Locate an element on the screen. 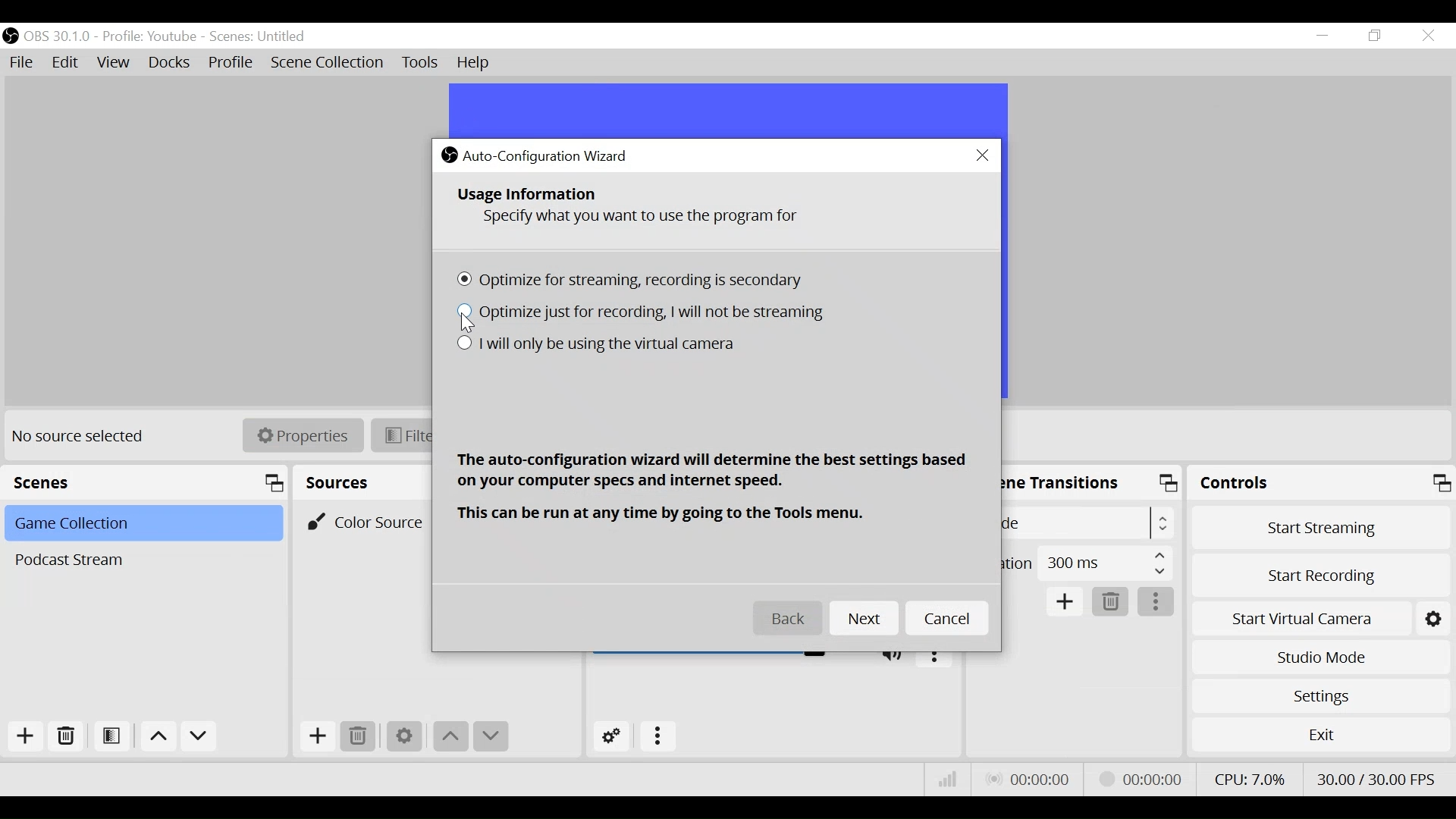  Controls is located at coordinates (1319, 483).